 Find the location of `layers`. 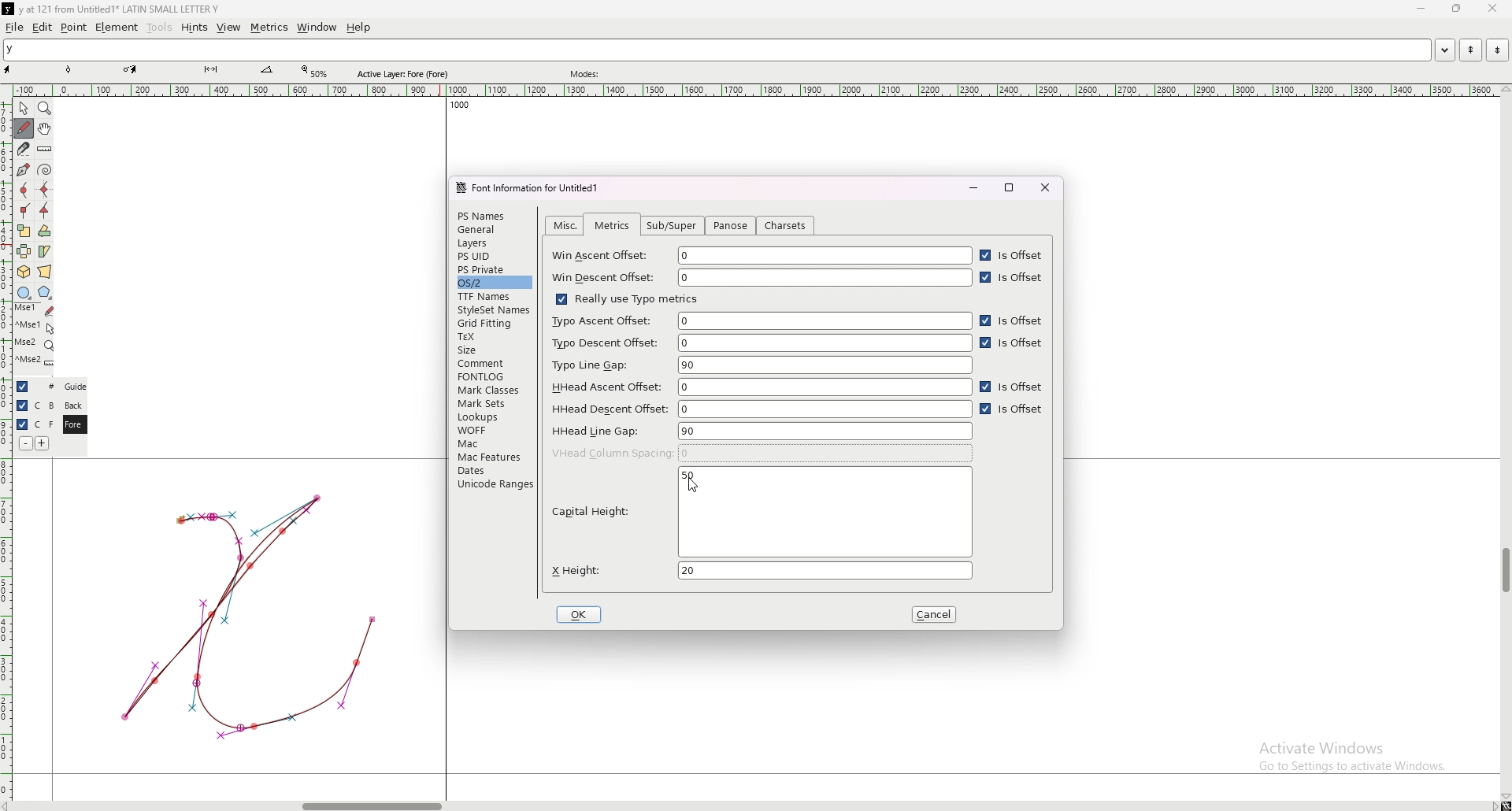

layers is located at coordinates (492, 243).